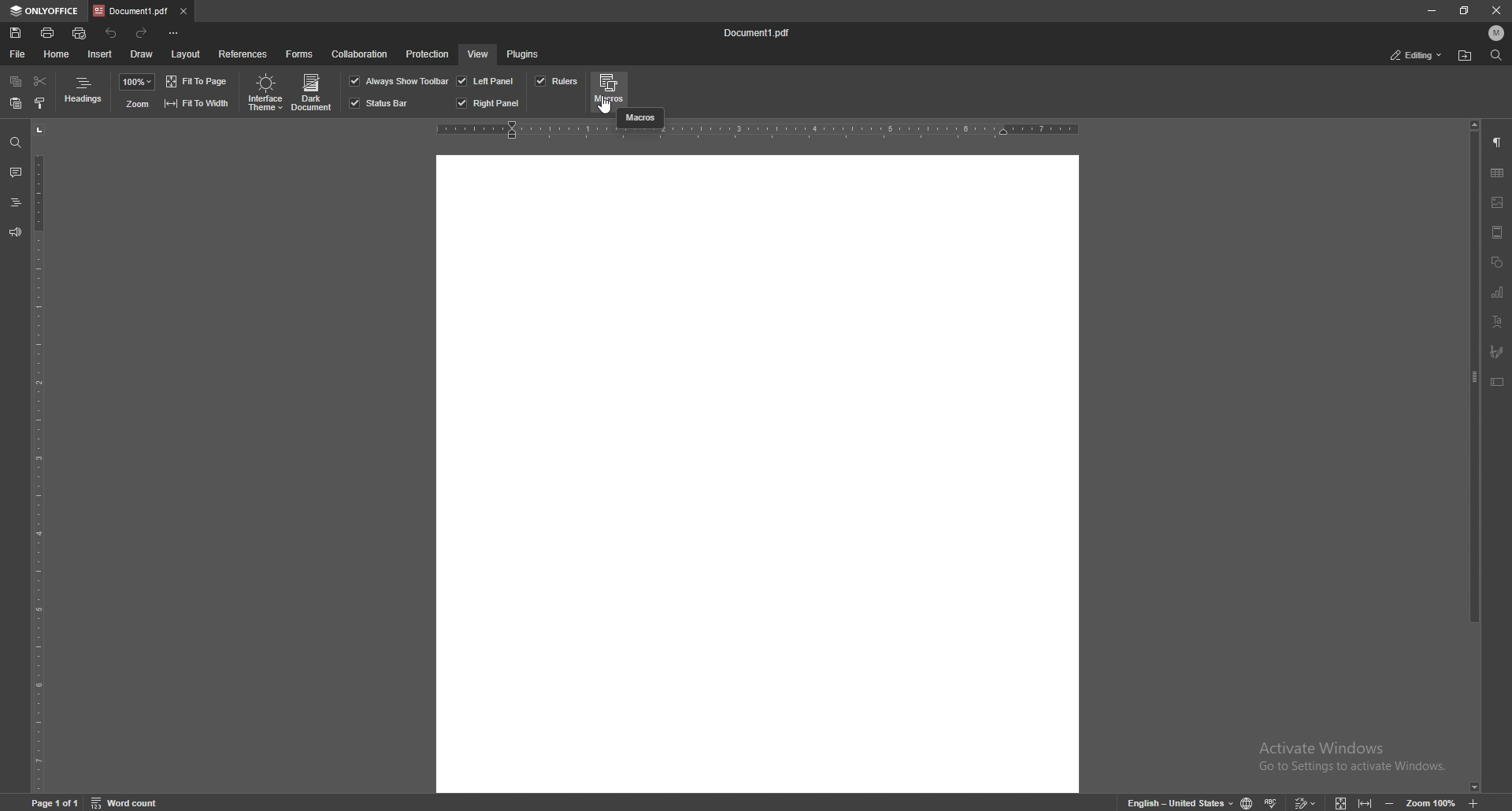 The image size is (1512, 811). What do you see at coordinates (758, 473) in the screenshot?
I see `document` at bounding box center [758, 473].